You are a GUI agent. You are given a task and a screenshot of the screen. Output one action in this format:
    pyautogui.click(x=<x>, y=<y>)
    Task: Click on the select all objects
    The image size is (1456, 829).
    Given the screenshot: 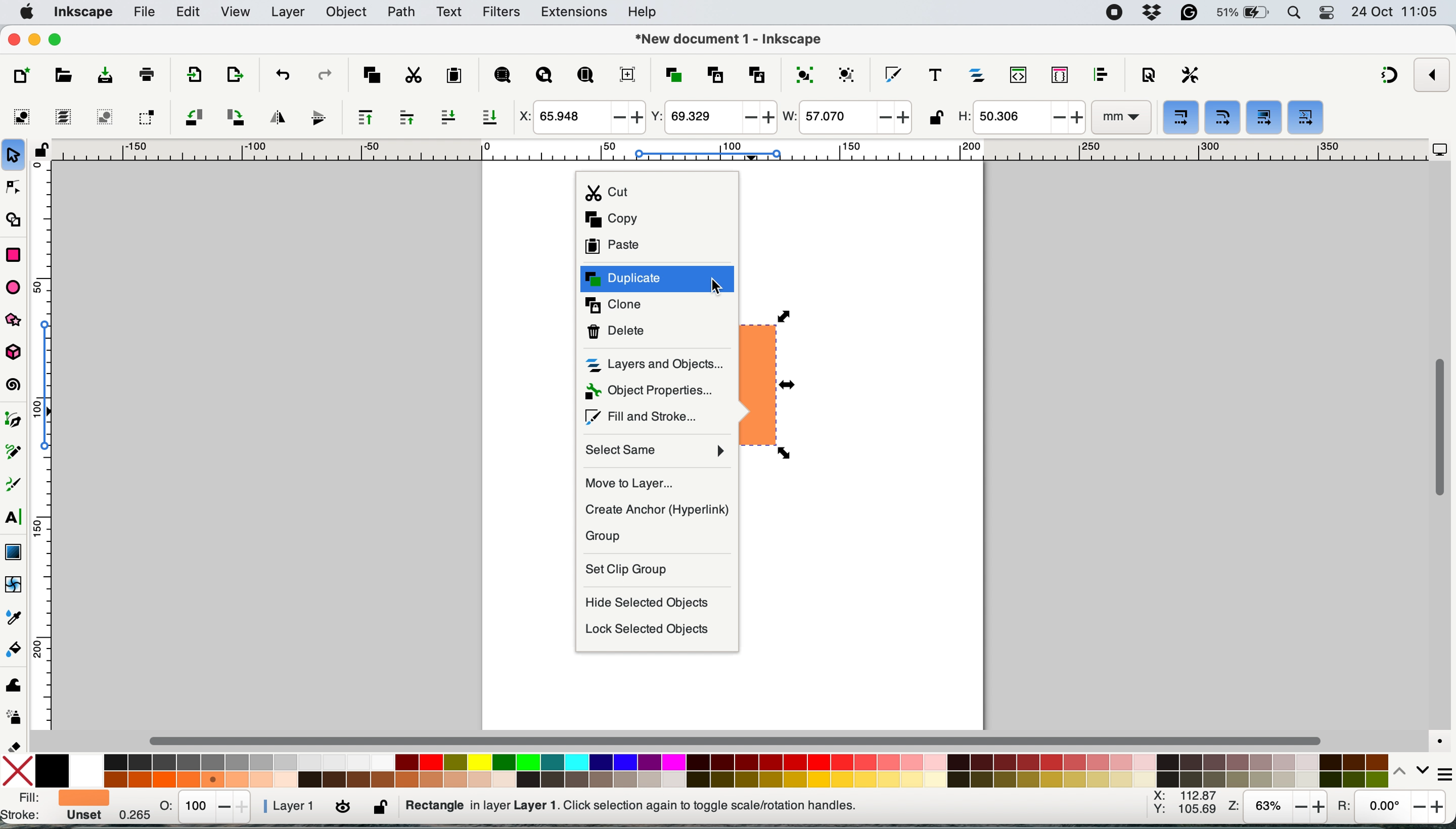 What is the action you would take?
    pyautogui.click(x=25, y=117)
    